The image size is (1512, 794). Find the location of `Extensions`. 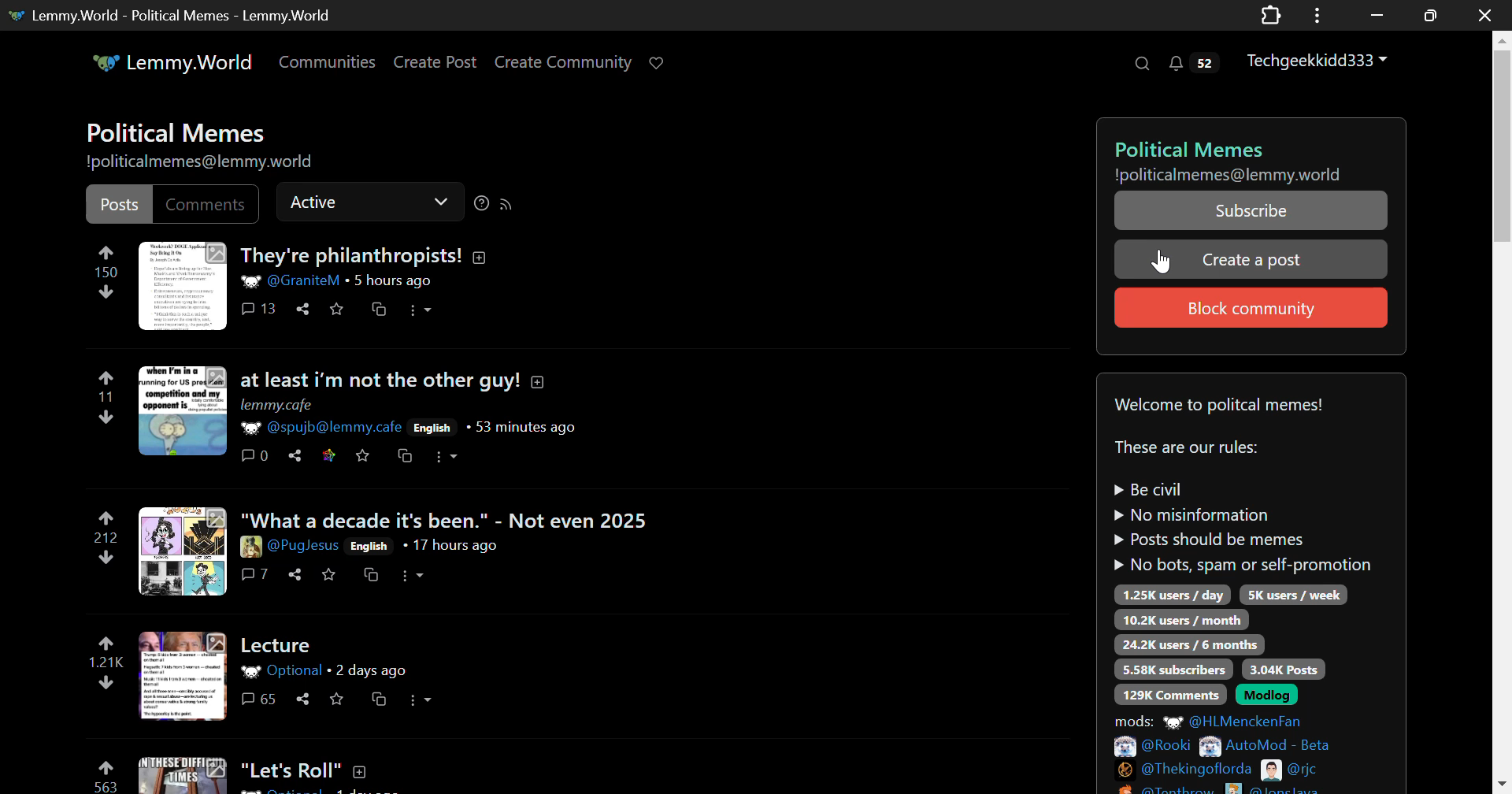

Extensions is located at coordinates (1272, 14).